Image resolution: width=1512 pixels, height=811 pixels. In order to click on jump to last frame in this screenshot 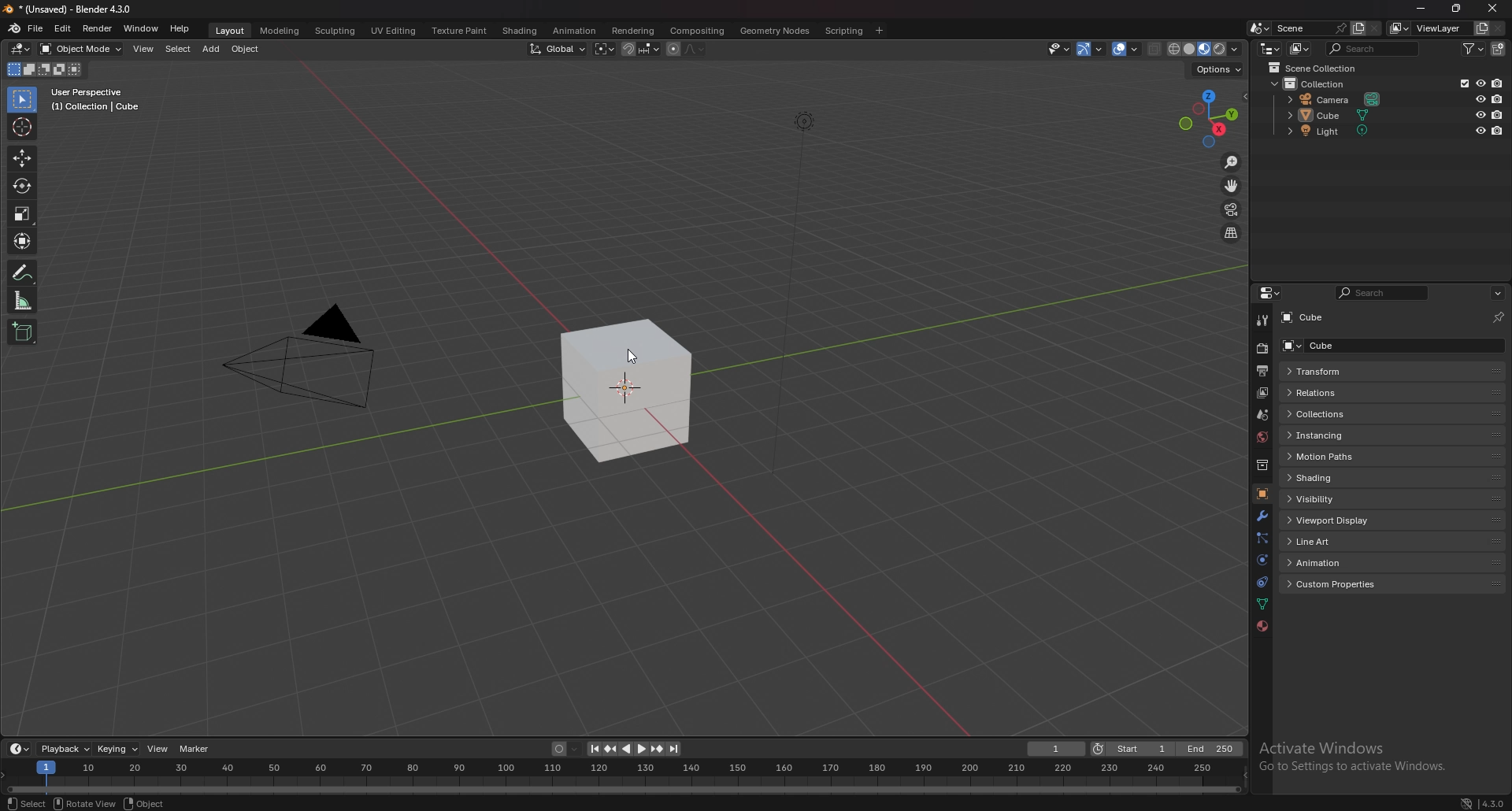, I will do `click(673, 749)`.